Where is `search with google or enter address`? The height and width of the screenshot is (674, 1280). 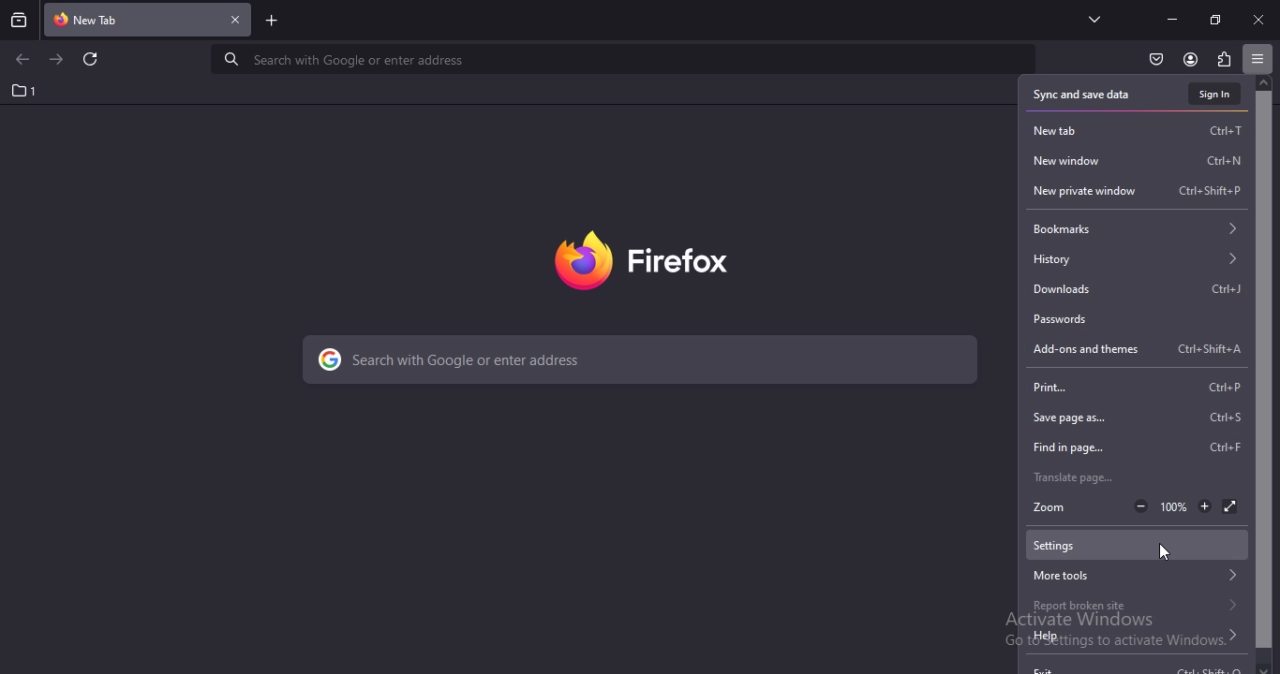
search with google or enter address is located at coordinates (641, 361).